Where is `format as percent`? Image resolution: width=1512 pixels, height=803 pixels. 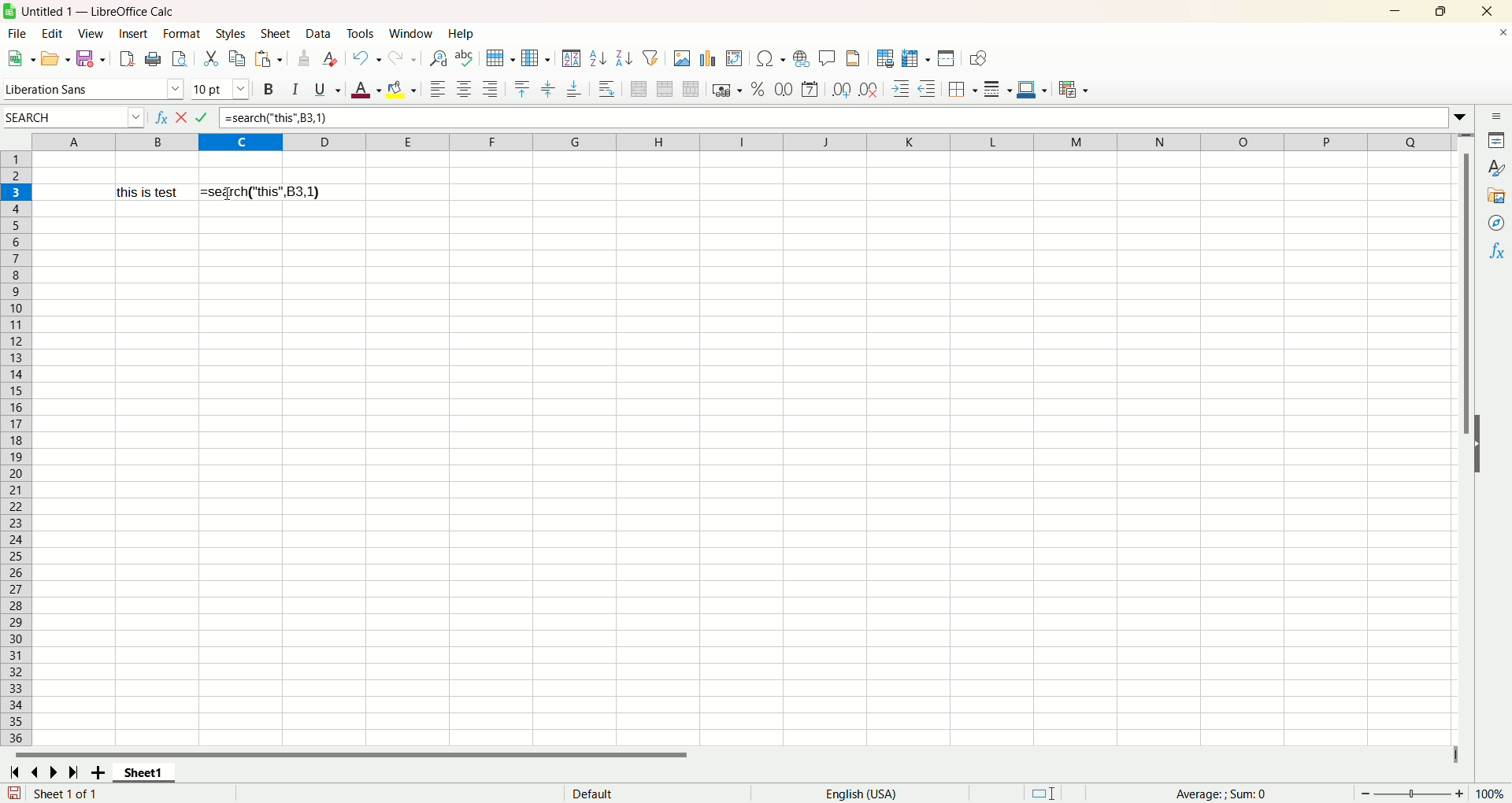
format as percent is located at coordinates (759, 87).